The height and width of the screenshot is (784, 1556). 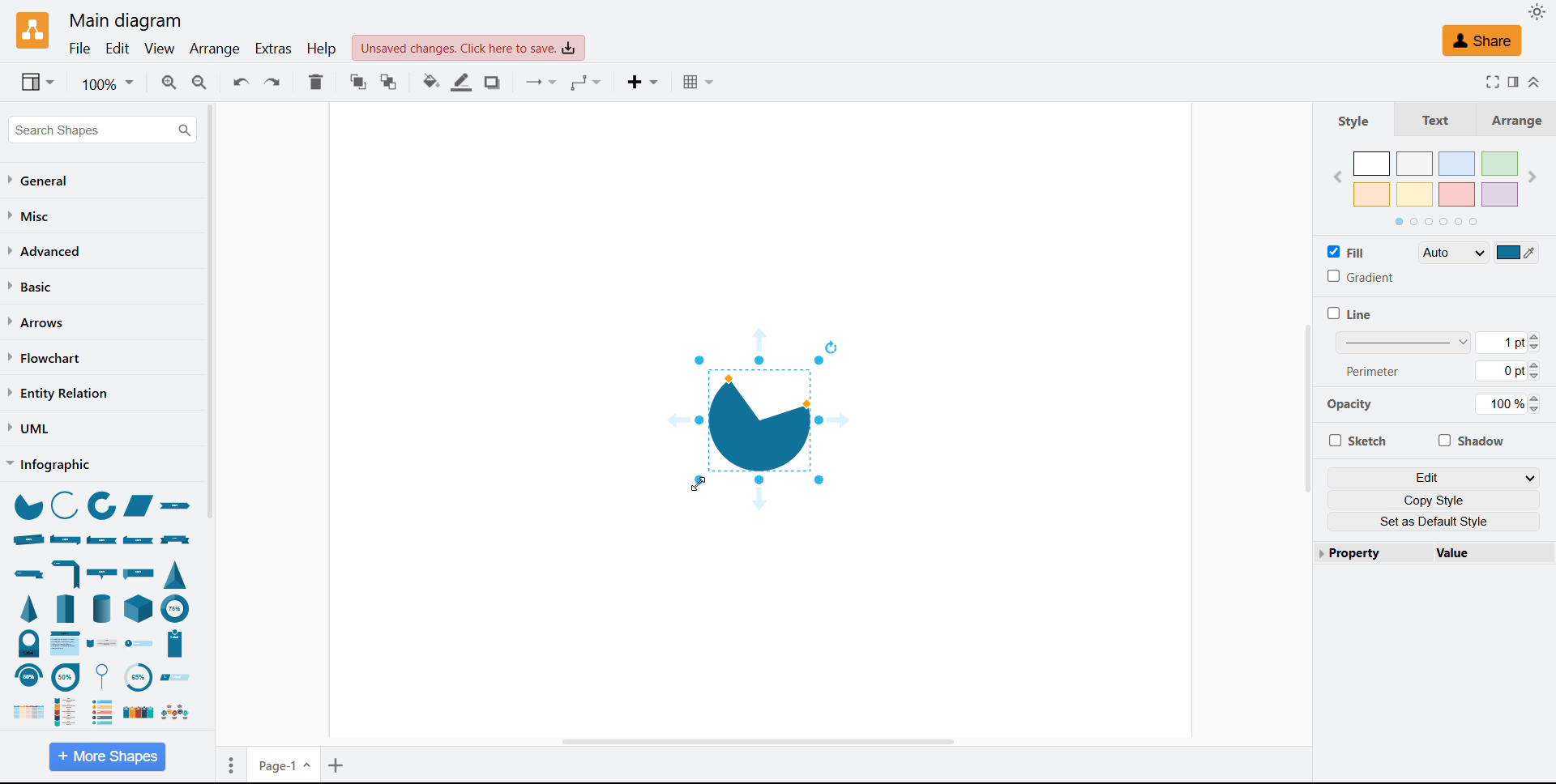 What do you see at coordinates (179, 508) in the screenshot?
I see `ribbon` at bounding box center [179, 508].